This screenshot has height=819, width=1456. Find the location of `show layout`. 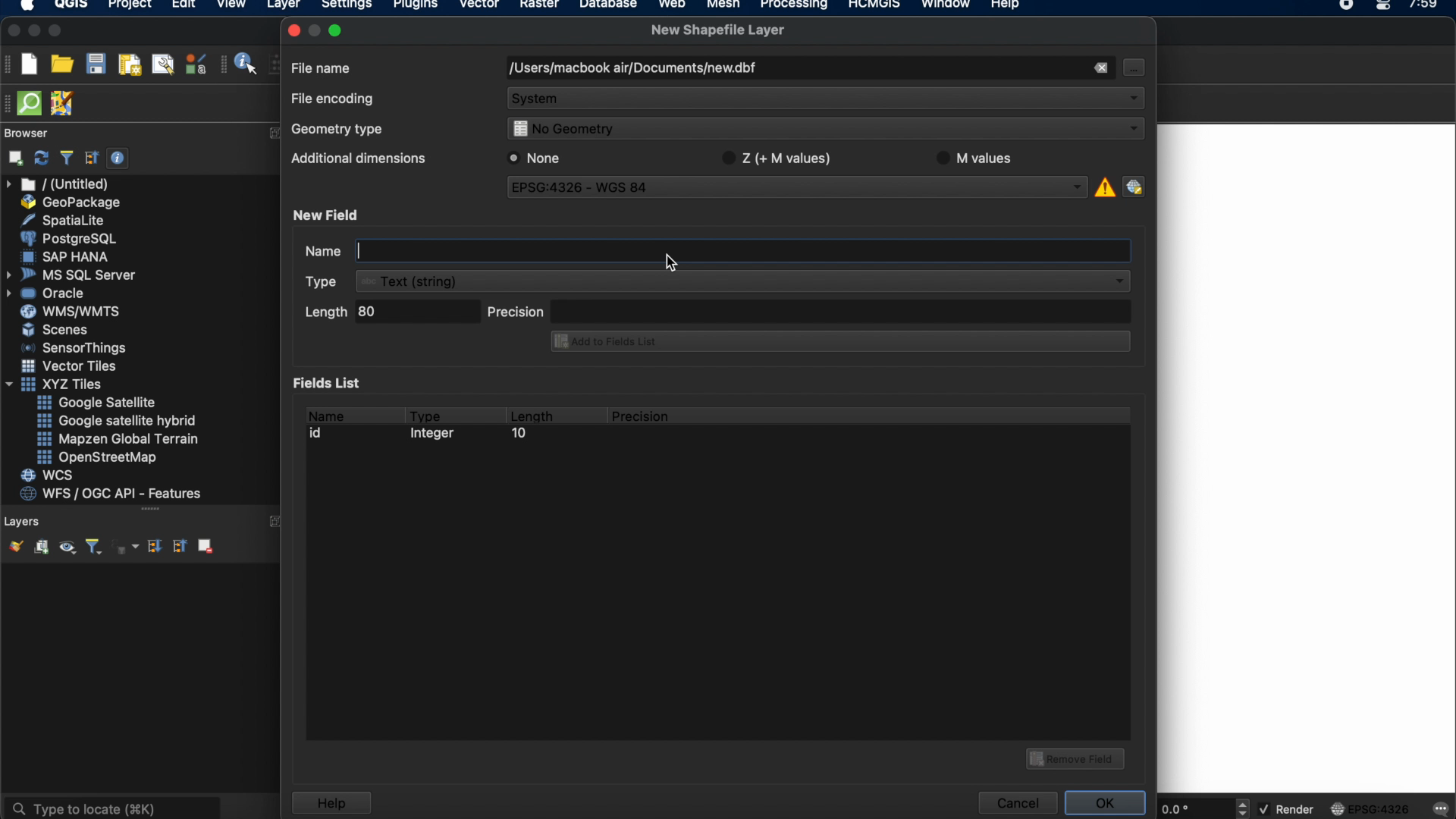

show layout is located at coordinates (163, 64).